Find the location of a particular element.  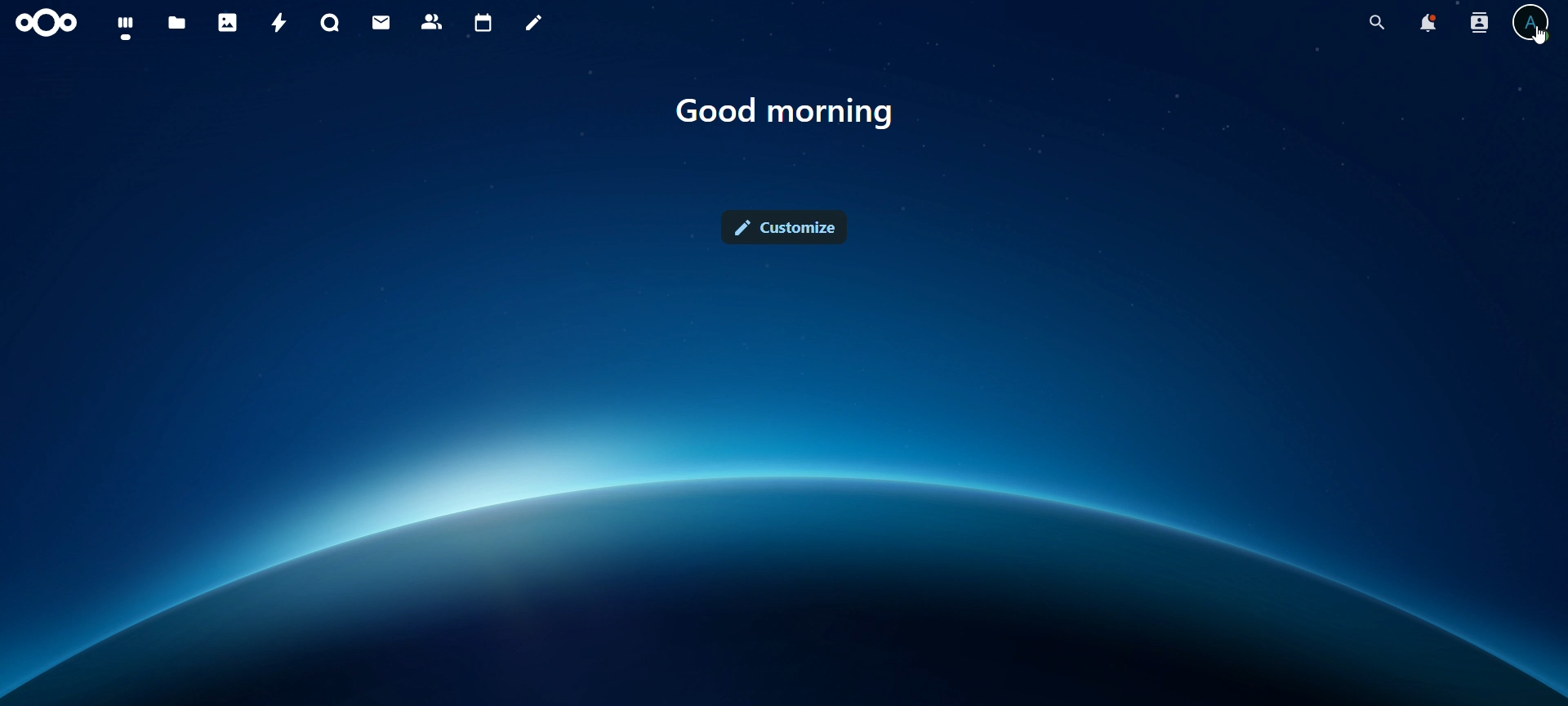

talk is located at coordinates (328, 23).